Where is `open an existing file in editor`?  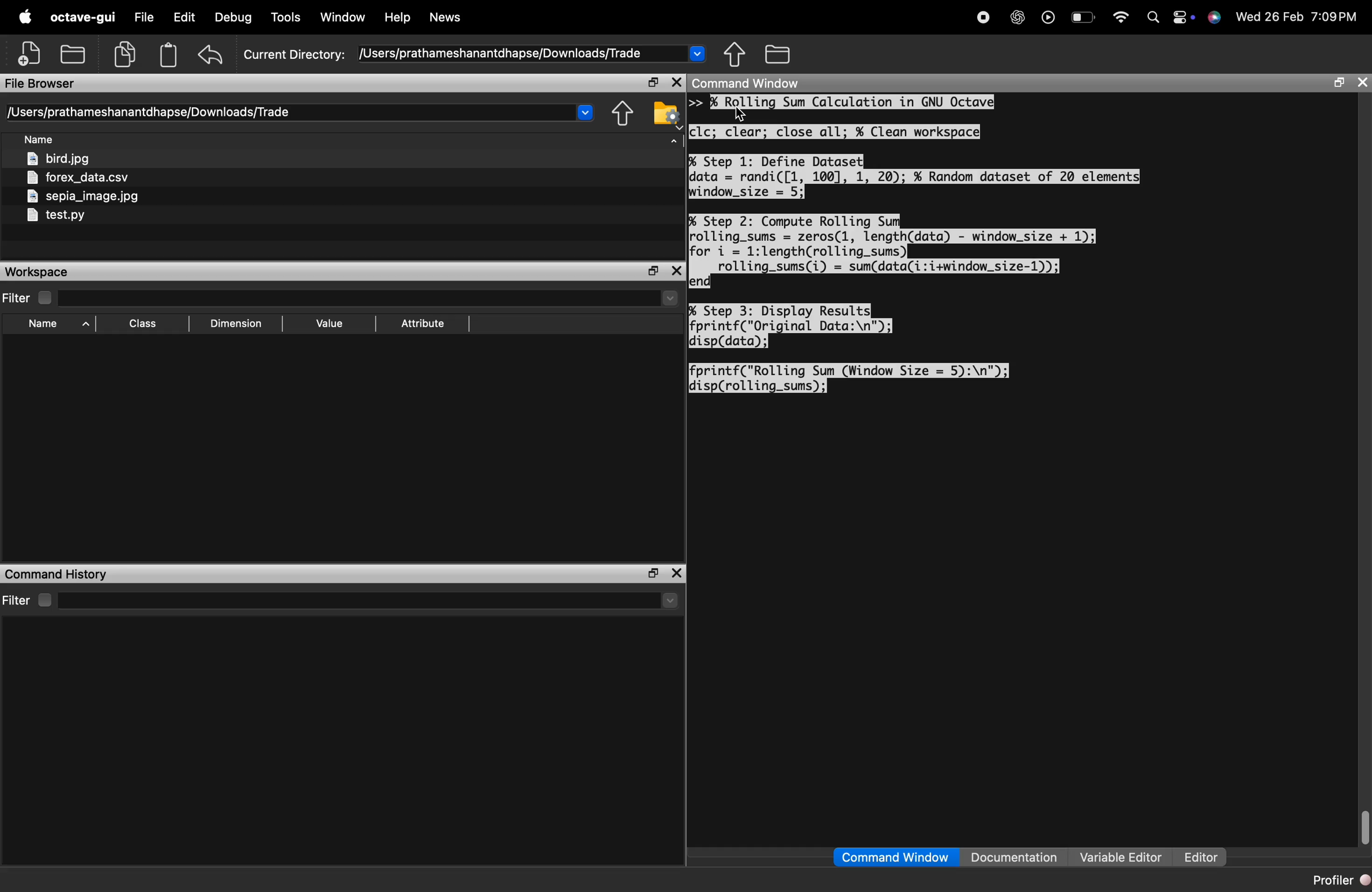 open an existing file in editor is located at coordinates (73, 54).